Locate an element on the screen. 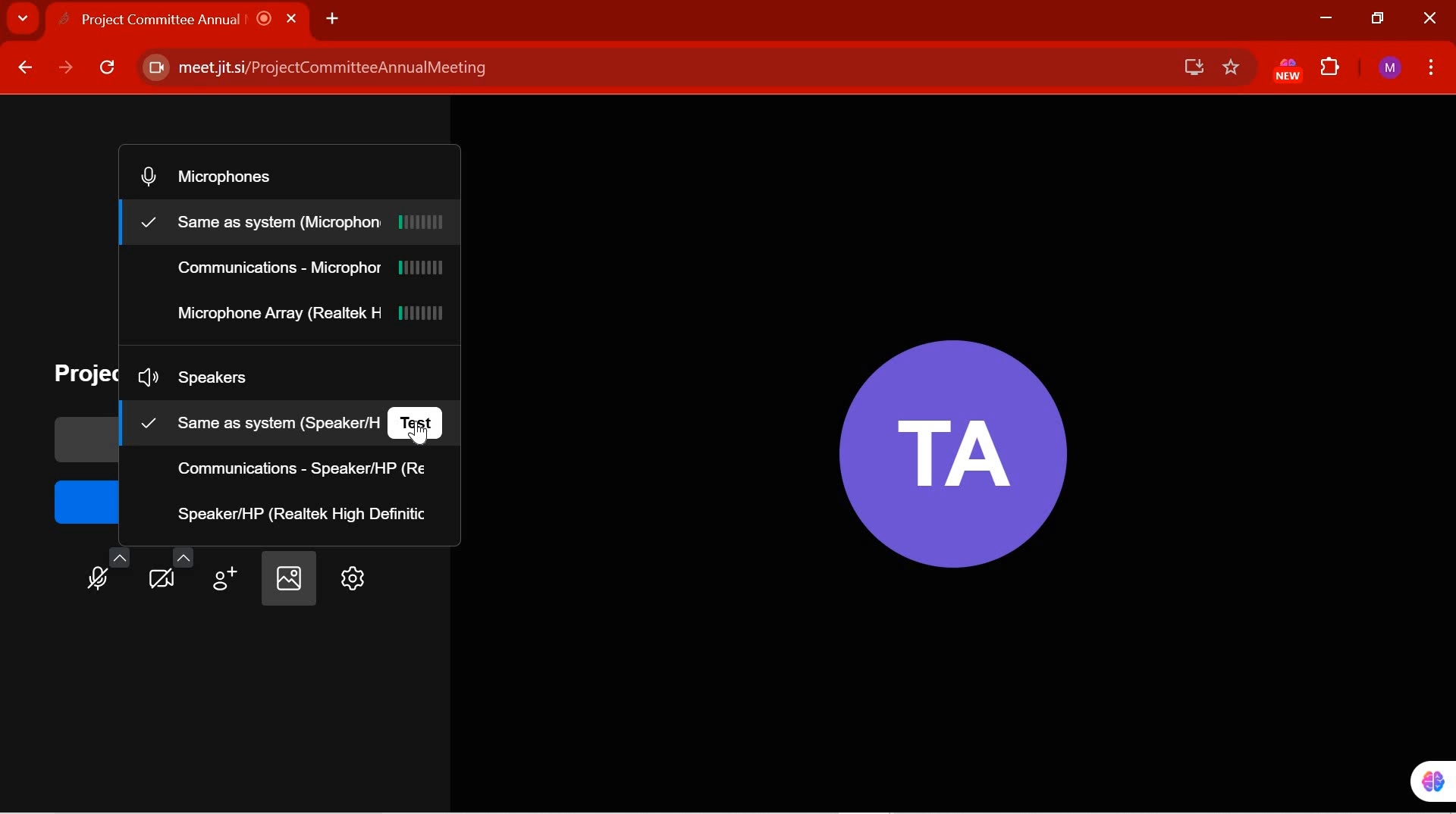  Microphones is located at coordinates (224, 176).